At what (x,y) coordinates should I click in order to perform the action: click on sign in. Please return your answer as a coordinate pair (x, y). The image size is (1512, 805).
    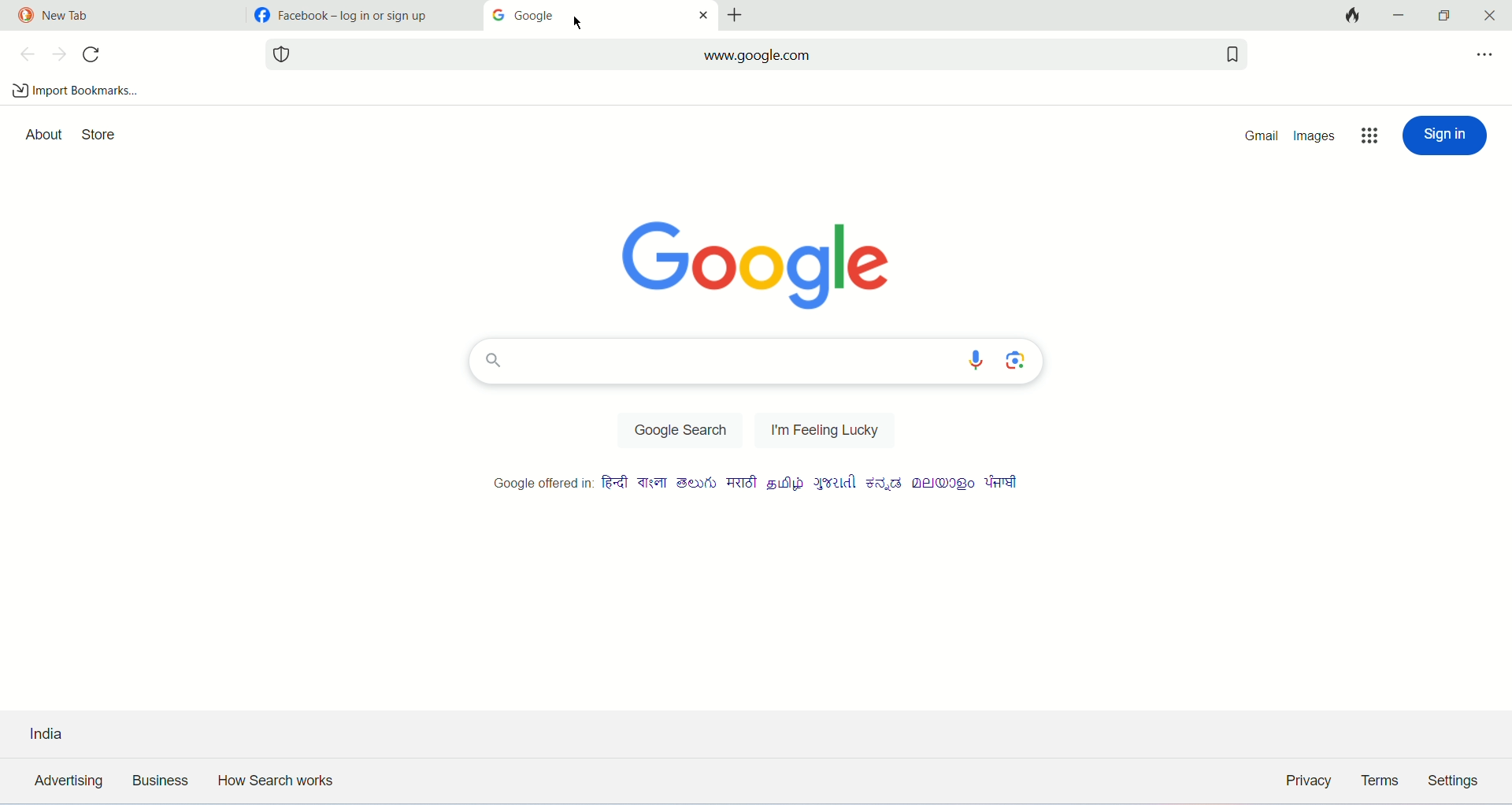
    Looking at the image, I should click on (1444, 135).